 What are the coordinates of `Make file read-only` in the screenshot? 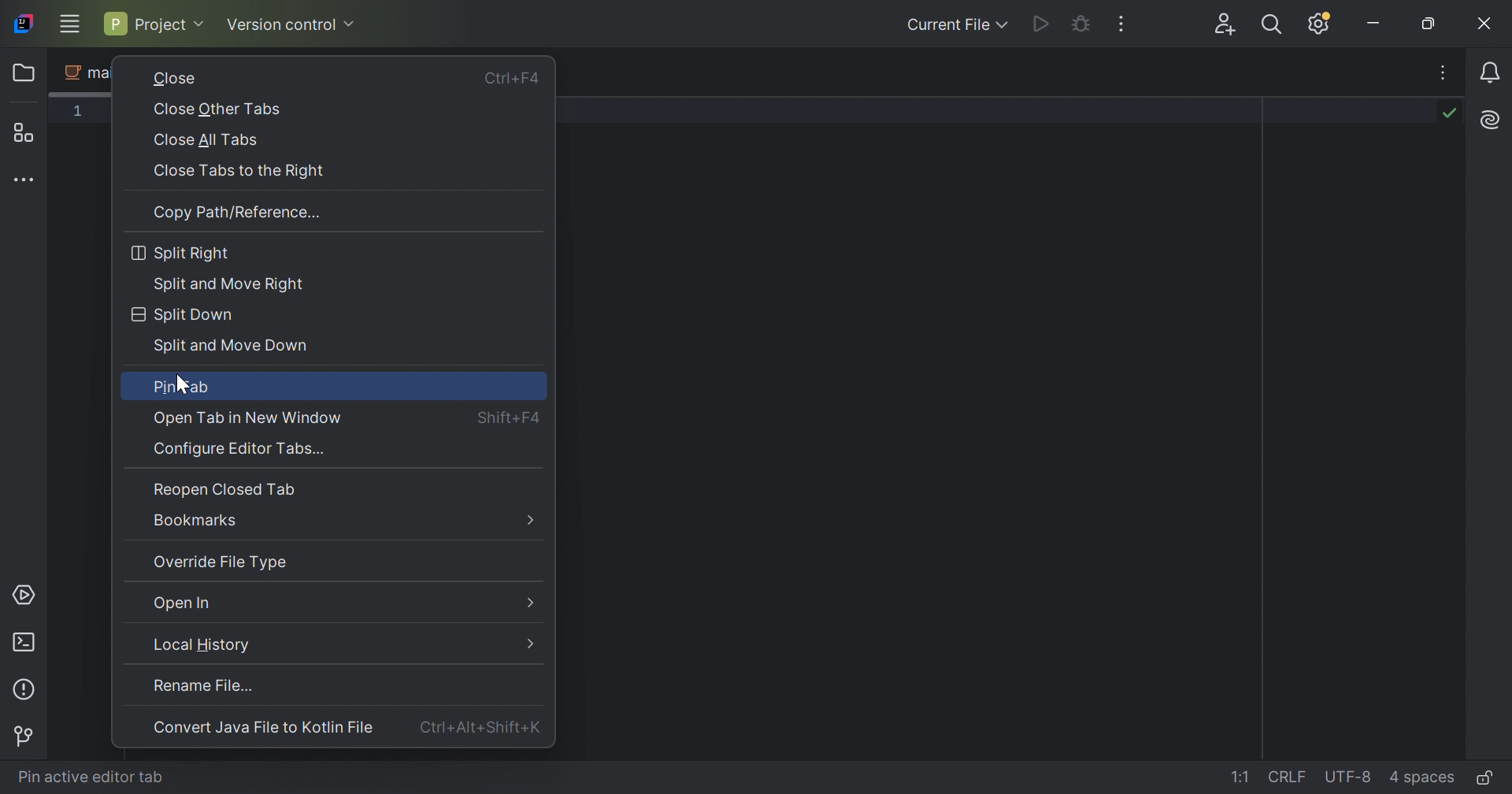 It's located at (1488, 777).